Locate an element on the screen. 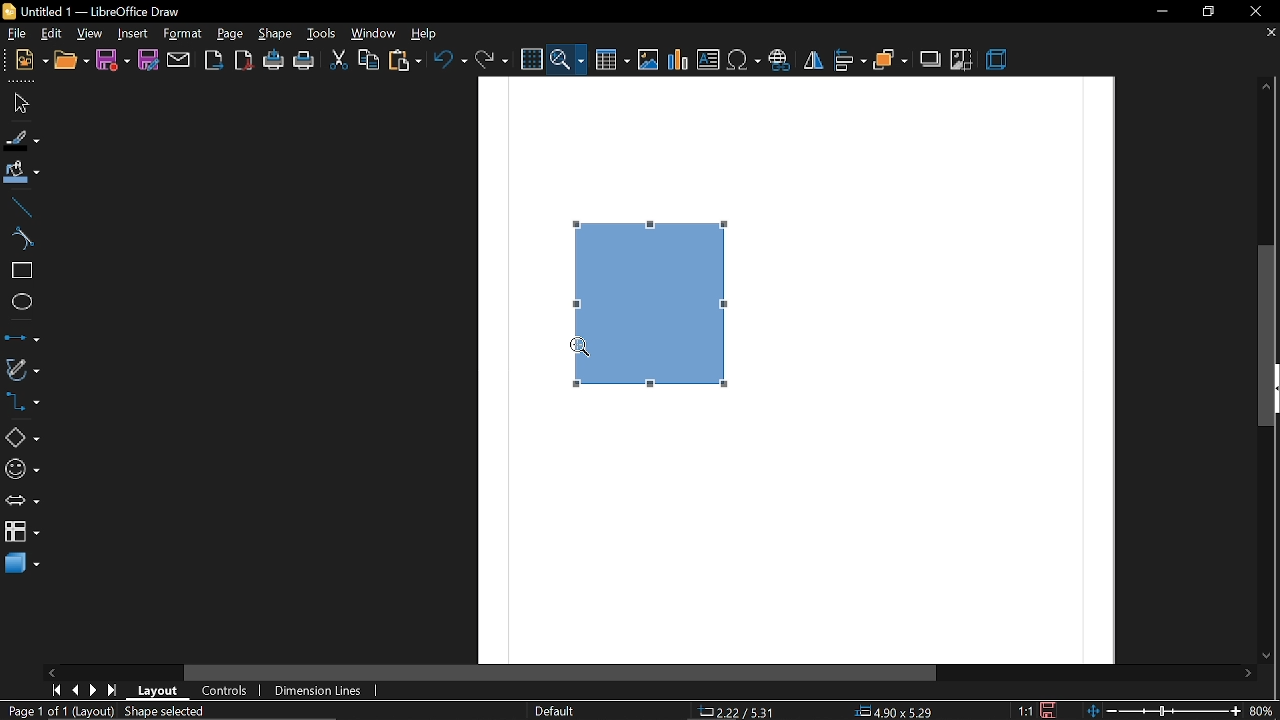 Image resolution: width=1280 pixels, height=720 pixels. zoom tool is located at coordinates (580, 351).